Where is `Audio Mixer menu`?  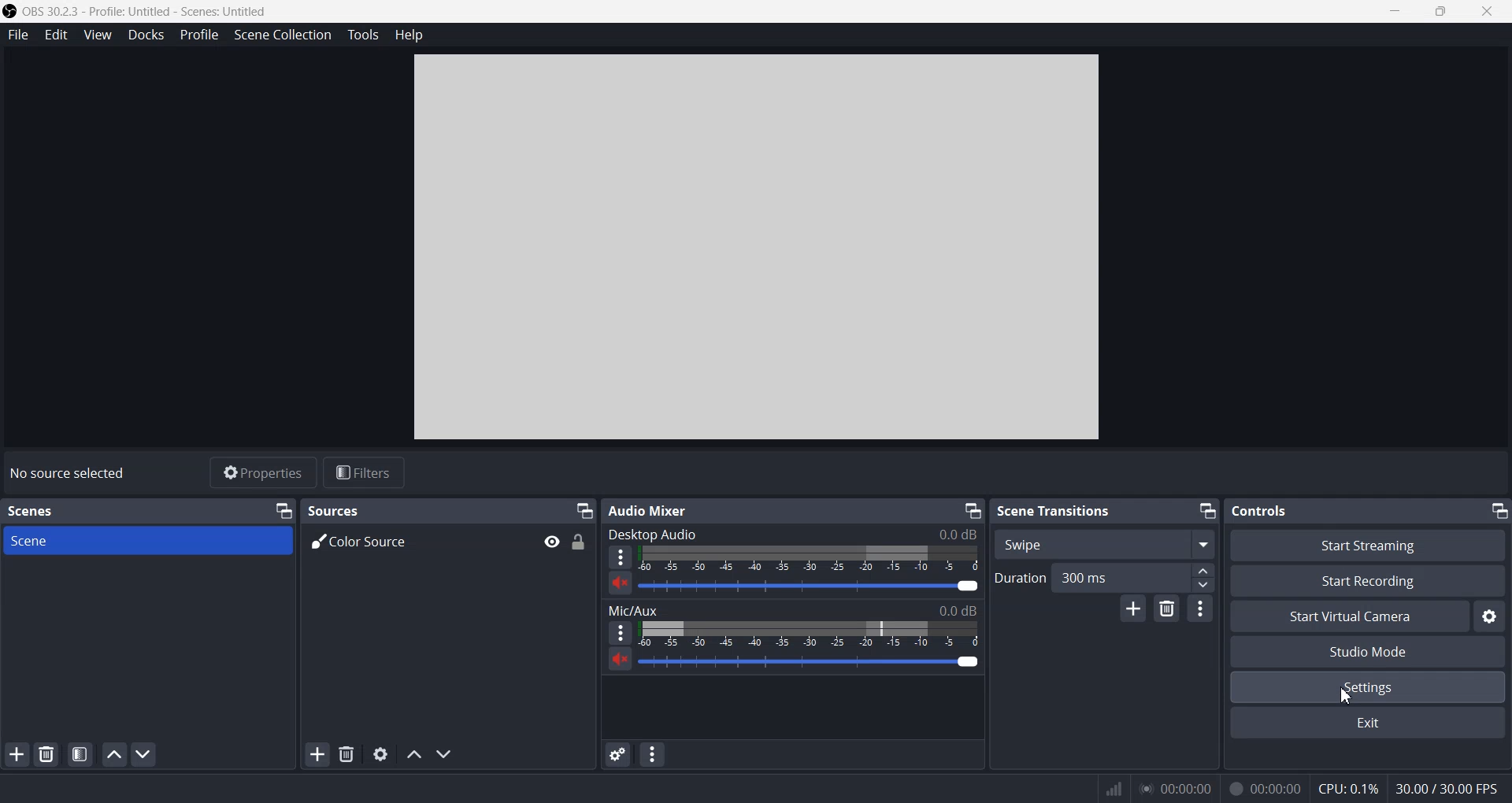 Audio Mixer menu is located at coordinates (652, 754).